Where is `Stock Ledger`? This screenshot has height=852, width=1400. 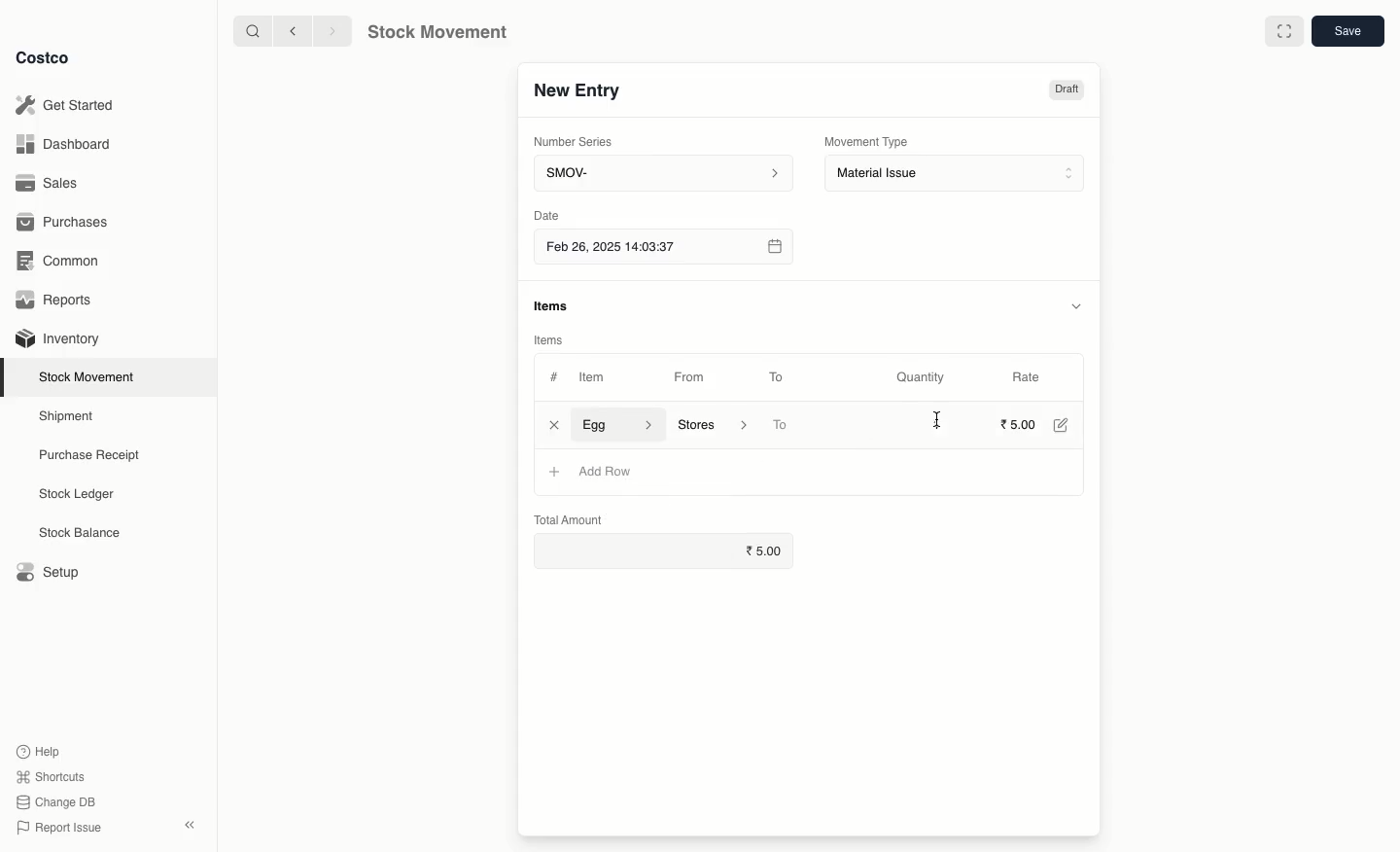
Stock Ledger is located at coordinates (77, 496).